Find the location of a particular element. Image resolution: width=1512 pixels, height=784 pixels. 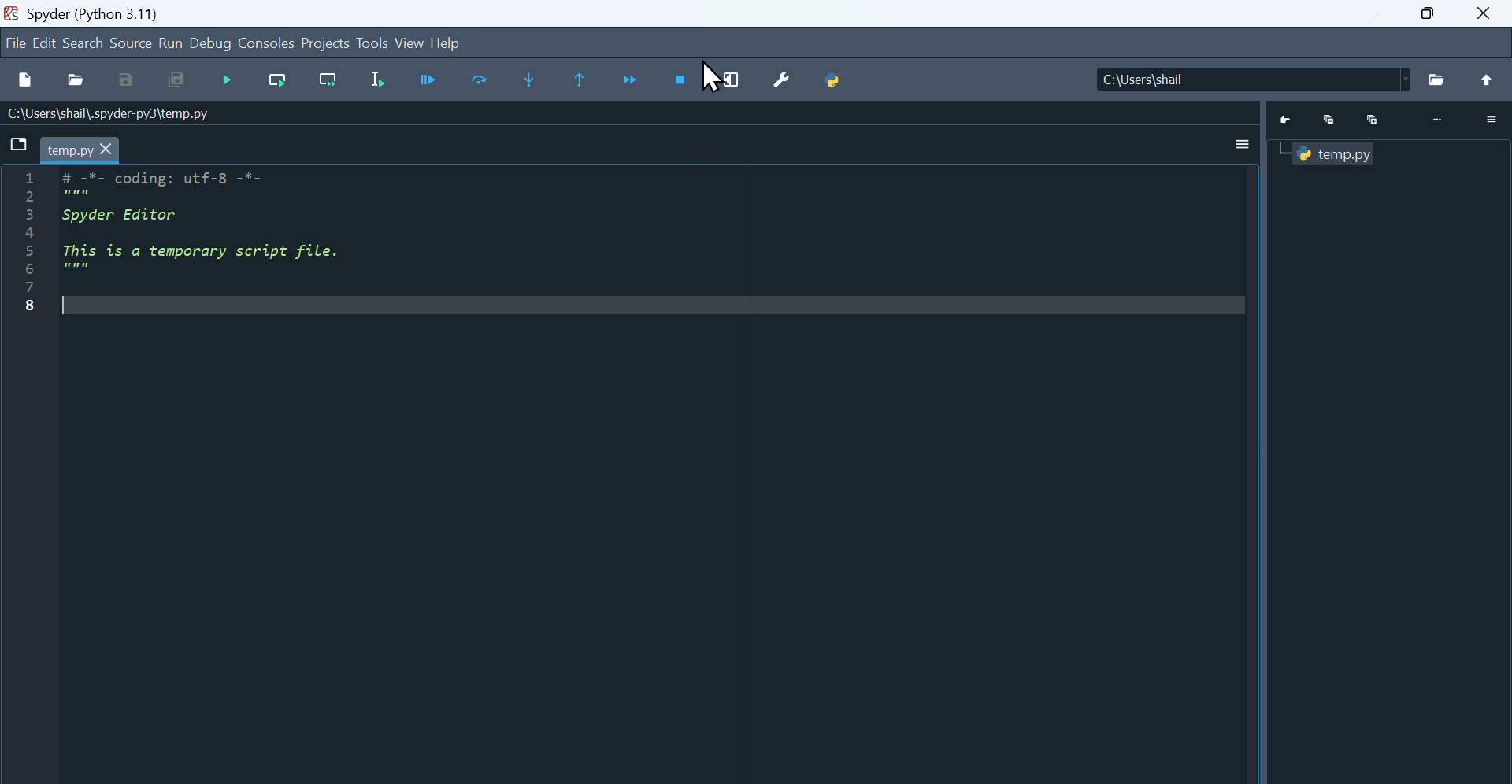

python path manager is located at coordinates (831, 83).